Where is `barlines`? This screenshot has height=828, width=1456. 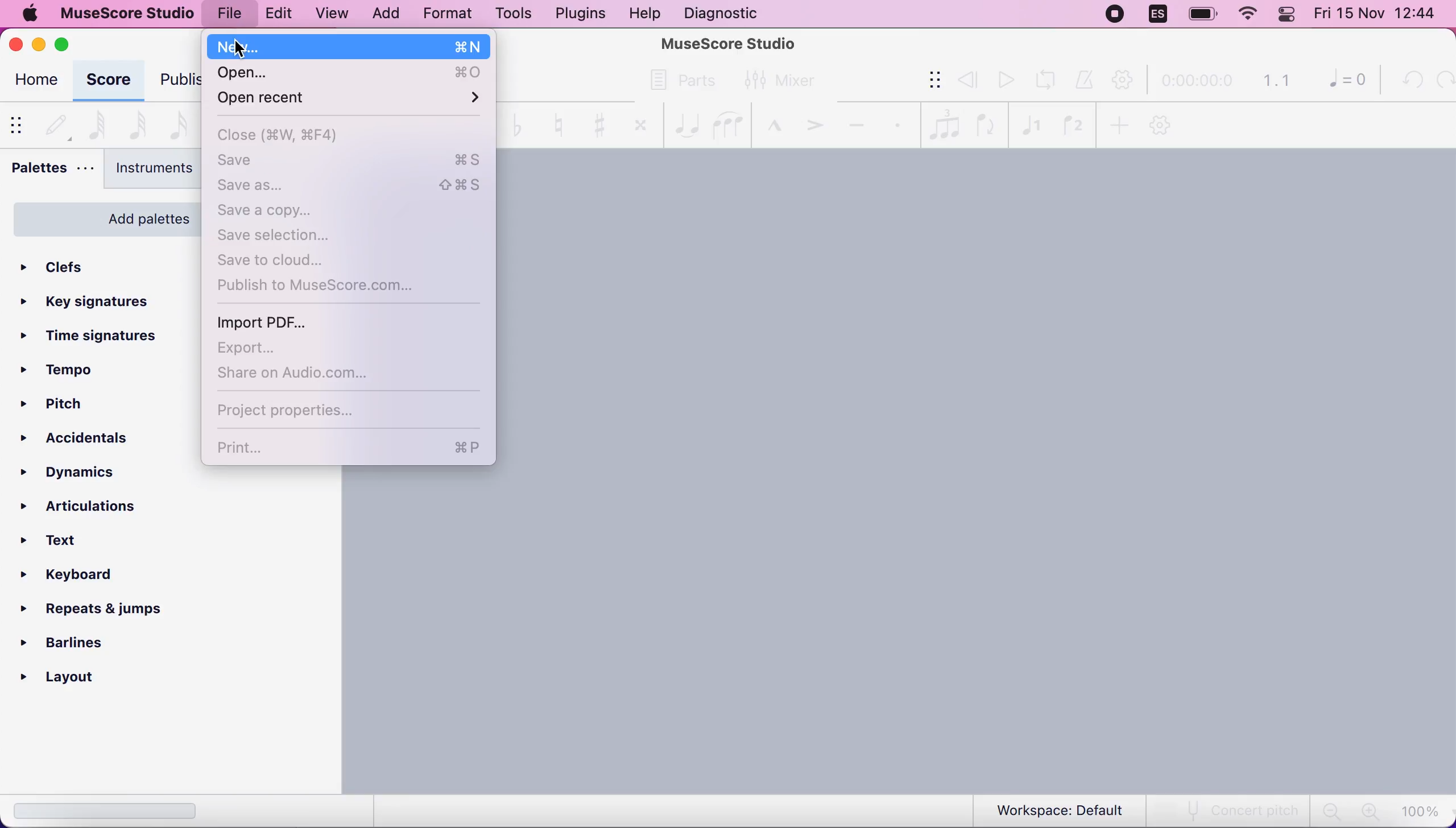
barlines is located at coordinates (93, 643).